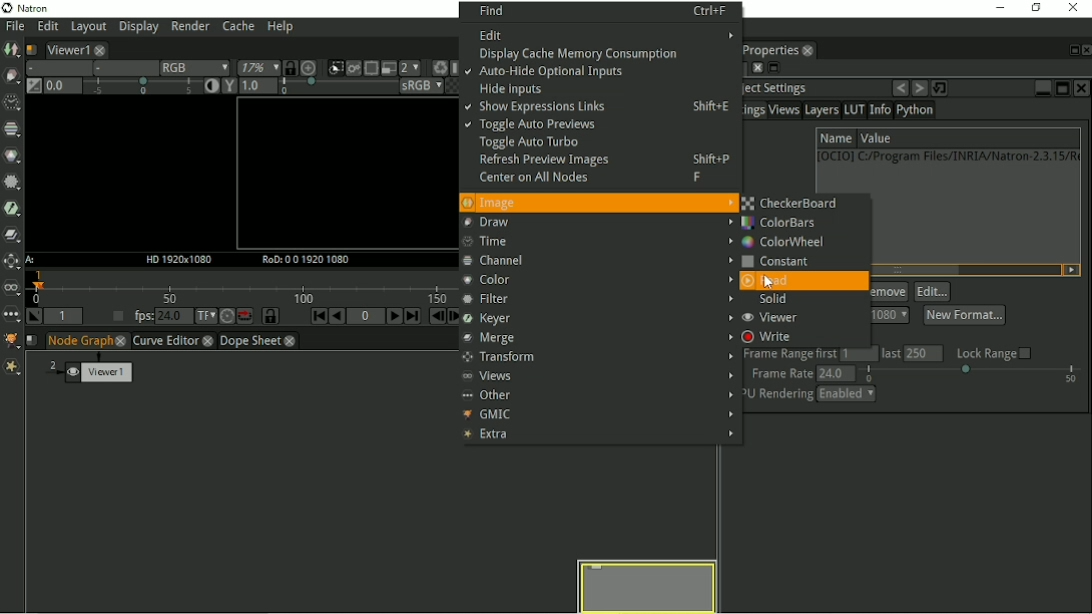 This screenshot has width=1092, height=614. Describe the element at coordinates (598, 376) in the screenshot. I see `Views` at that location.